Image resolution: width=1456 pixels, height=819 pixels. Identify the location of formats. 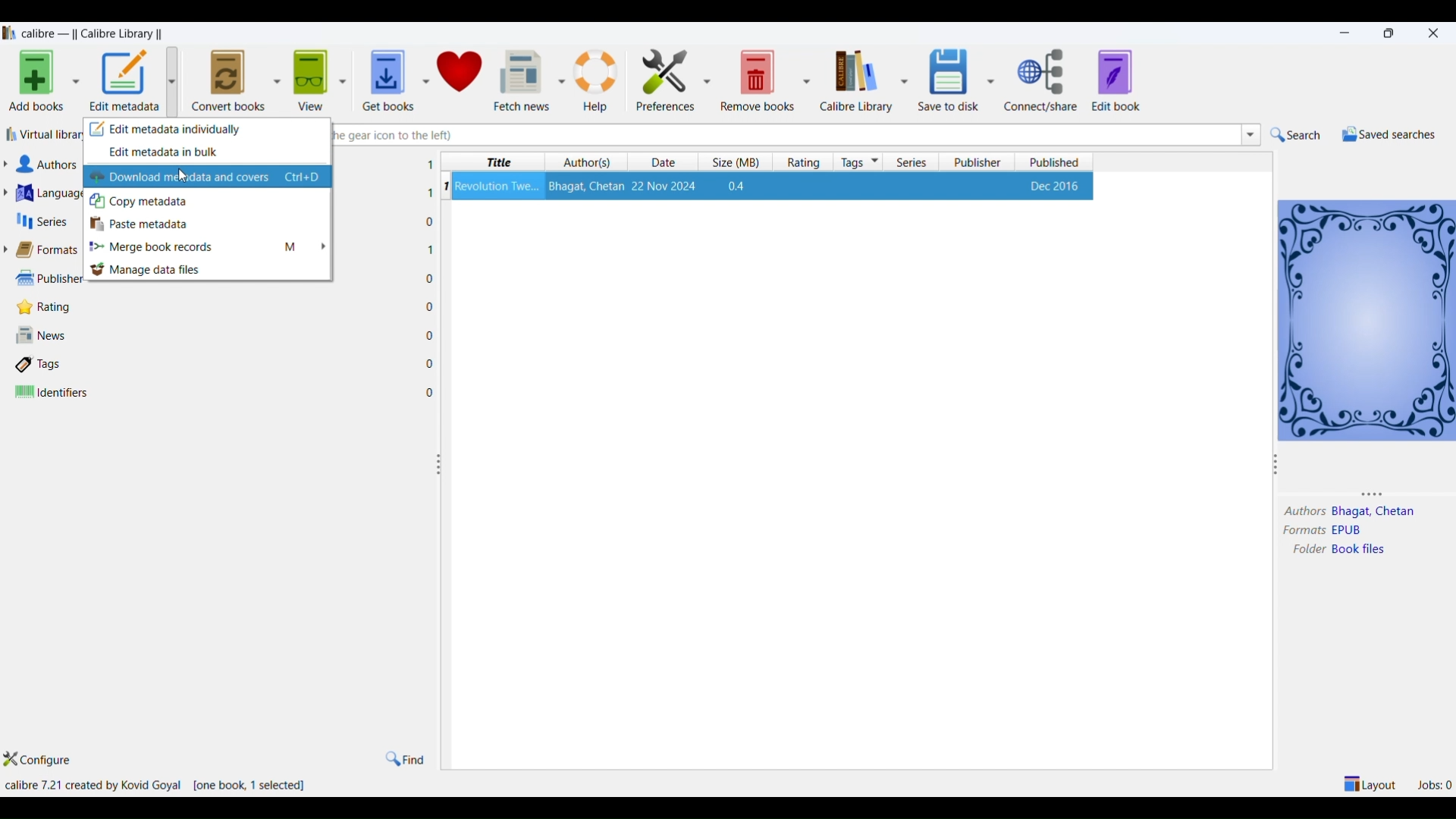
(1300, 531).